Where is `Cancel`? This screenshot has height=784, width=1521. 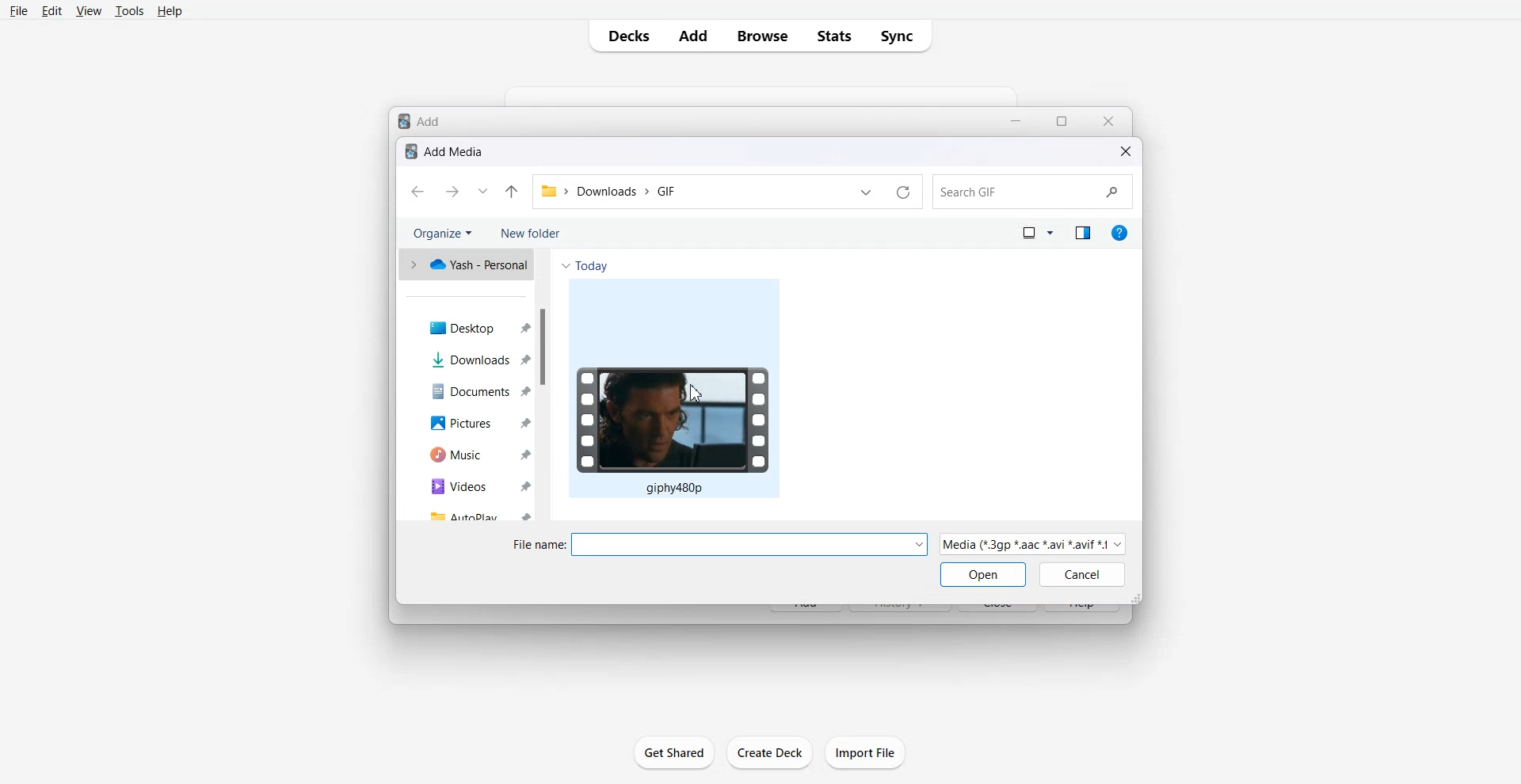
Cancel is located at coordinates (1082, 575).